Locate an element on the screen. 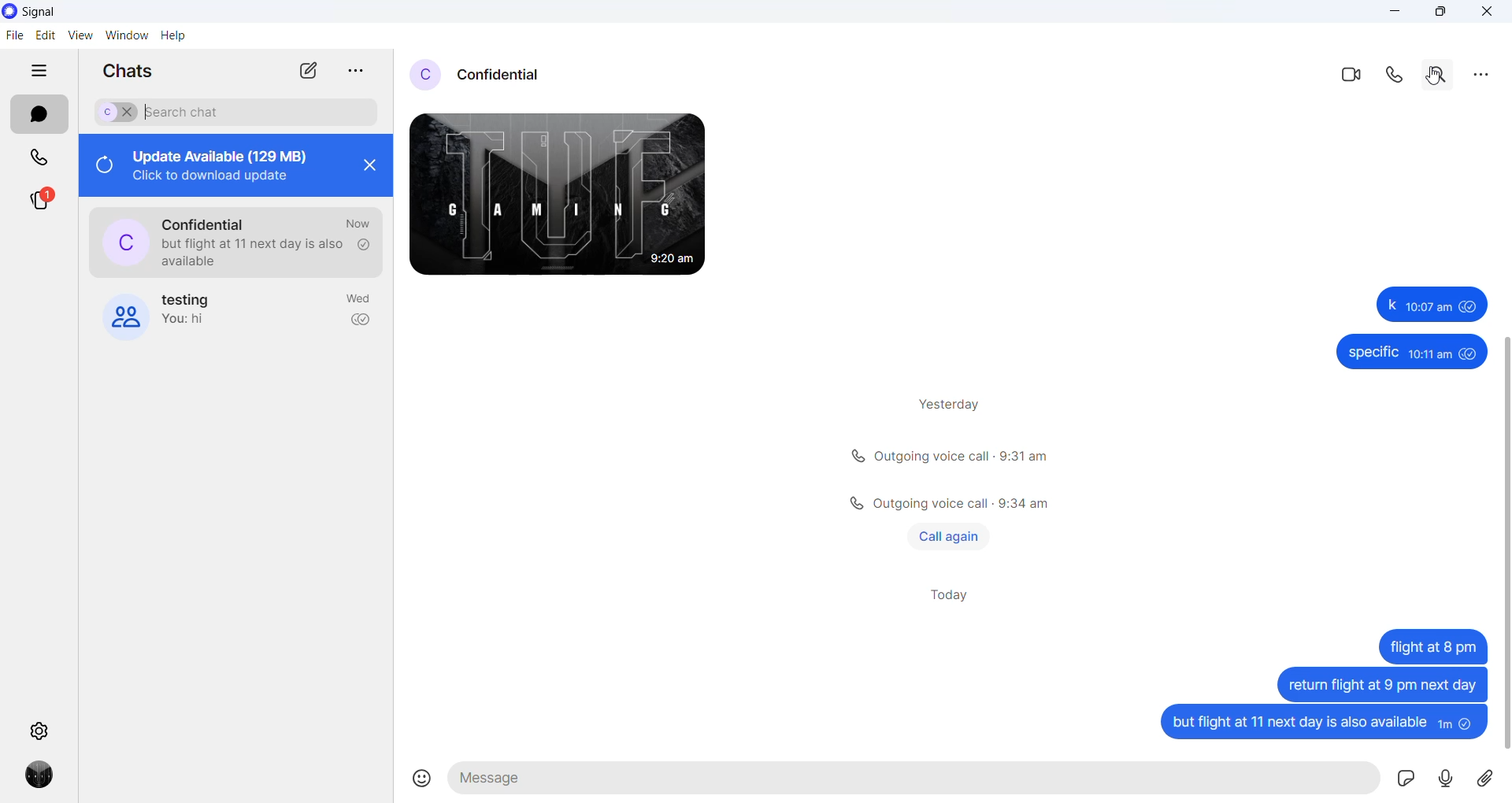 The width and height of the screenshot is (1512, 803). close is located at coordinates (369, 170).